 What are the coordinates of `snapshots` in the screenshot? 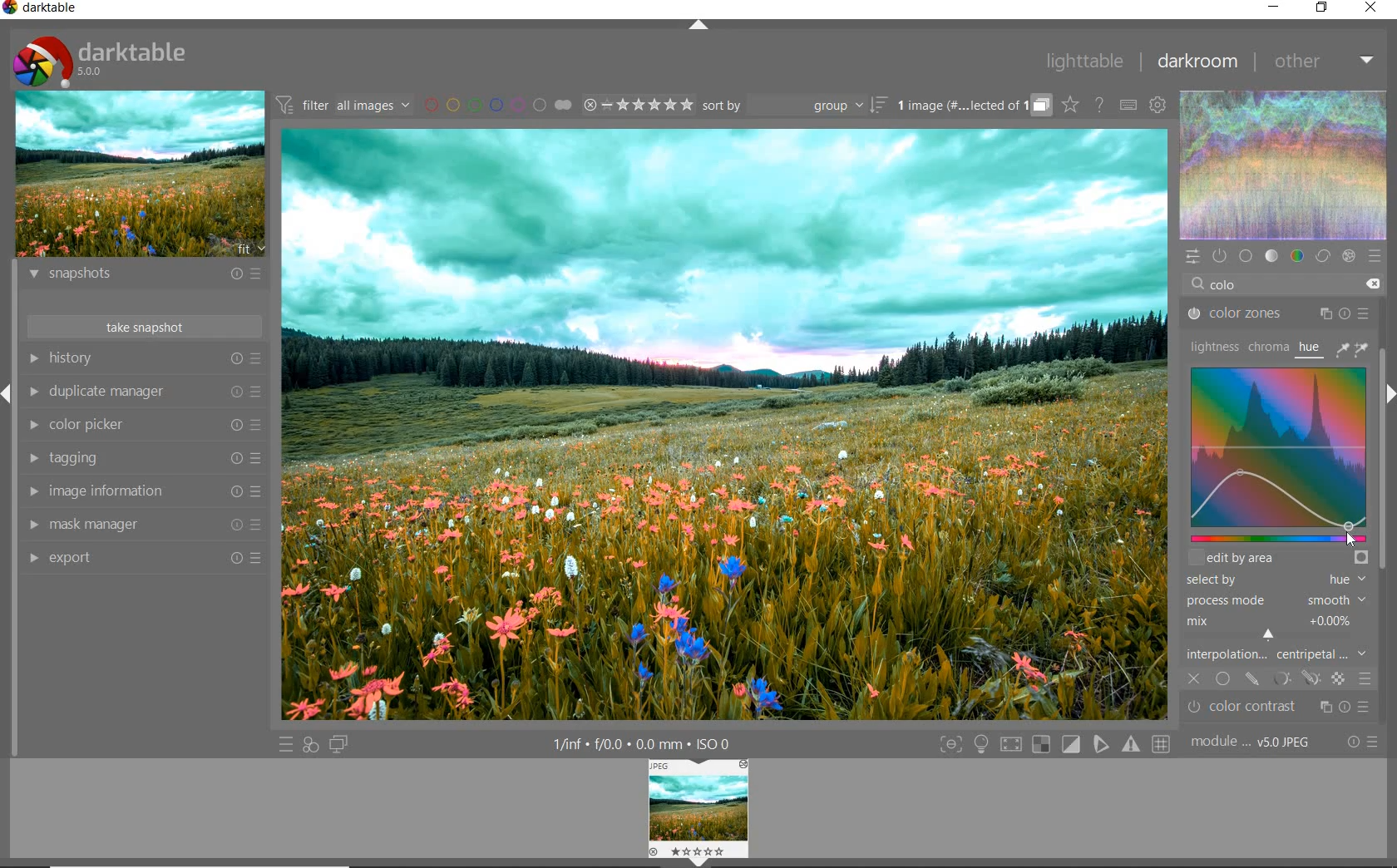 It's located at (141, 277).